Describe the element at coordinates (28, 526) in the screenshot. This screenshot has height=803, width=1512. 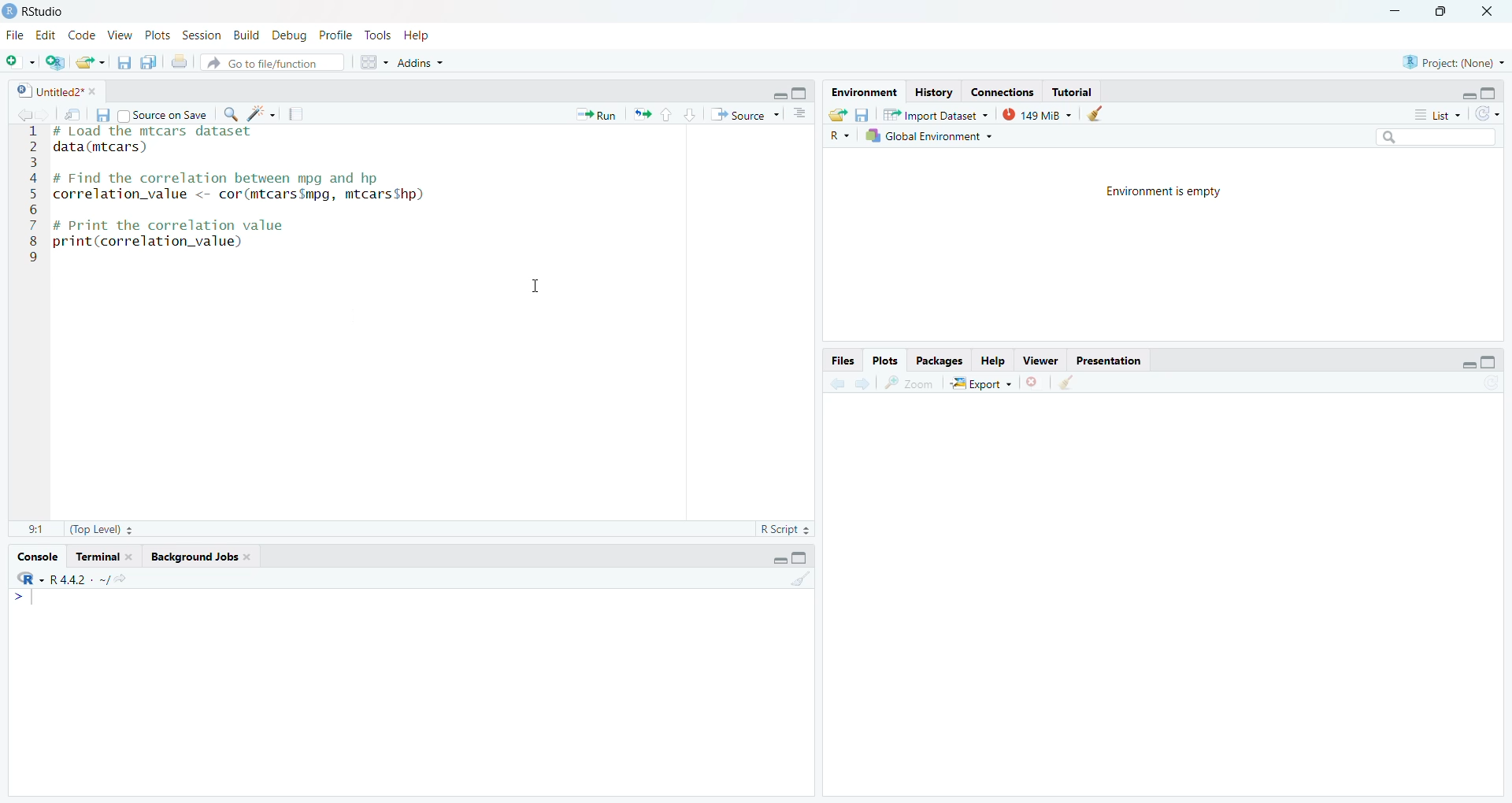
I see `1:1` at that location.